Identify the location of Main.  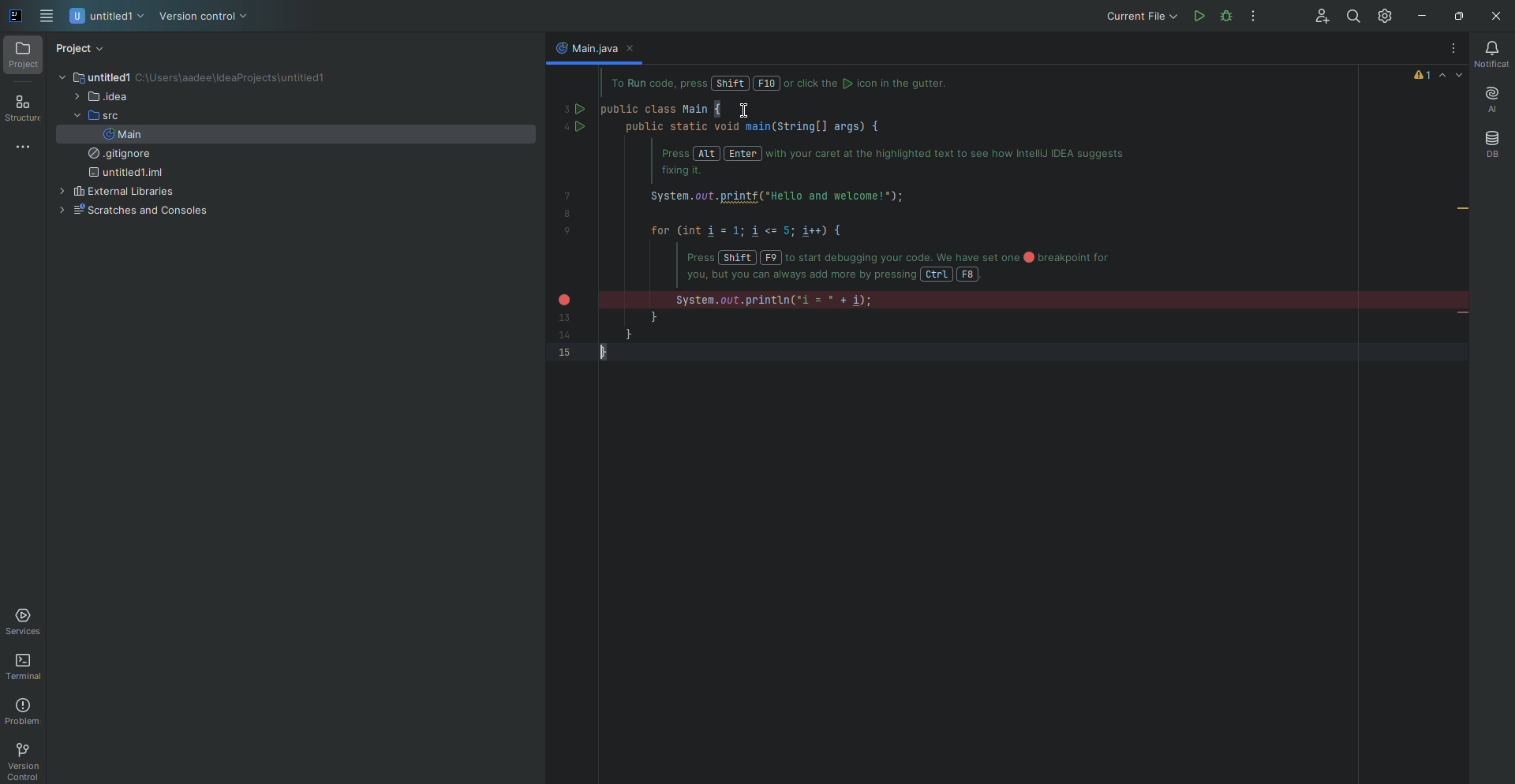
(122, 134).